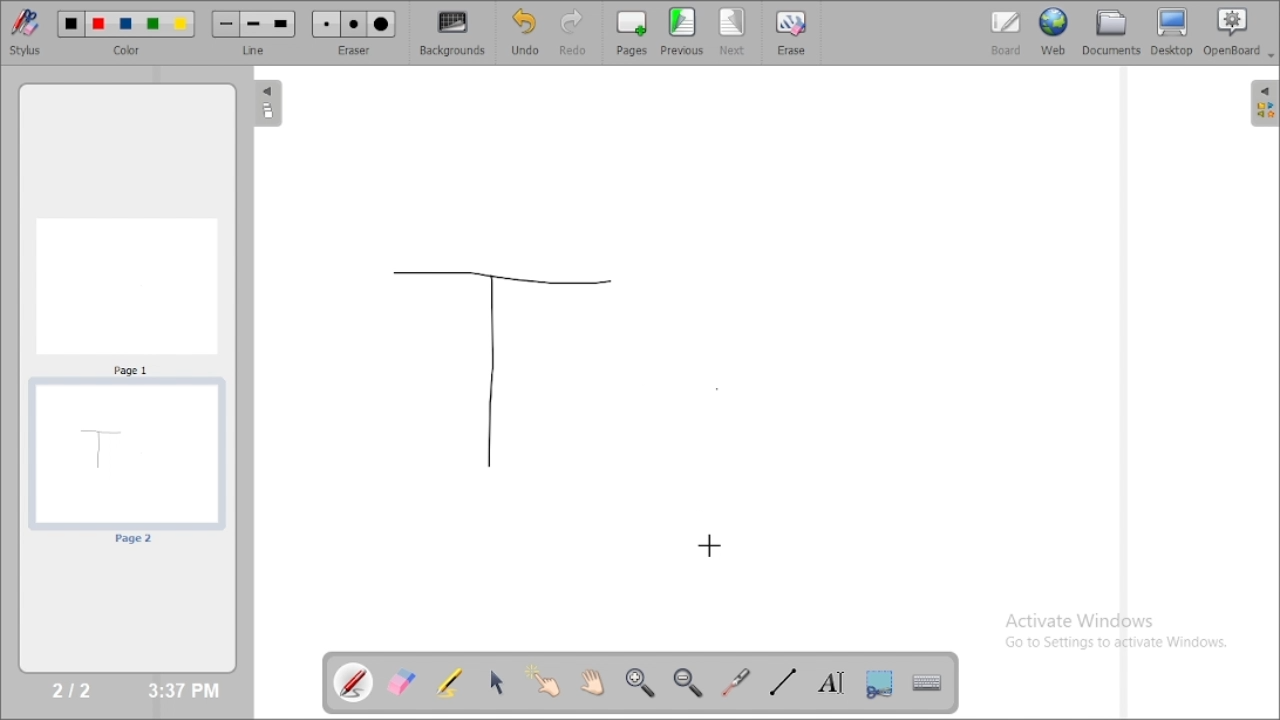 The width and height of the screenshot is (1280, 720). What do you see at coordinates (256, 50) in the screenshot?
I see `line` at bounding box center [256, 50].